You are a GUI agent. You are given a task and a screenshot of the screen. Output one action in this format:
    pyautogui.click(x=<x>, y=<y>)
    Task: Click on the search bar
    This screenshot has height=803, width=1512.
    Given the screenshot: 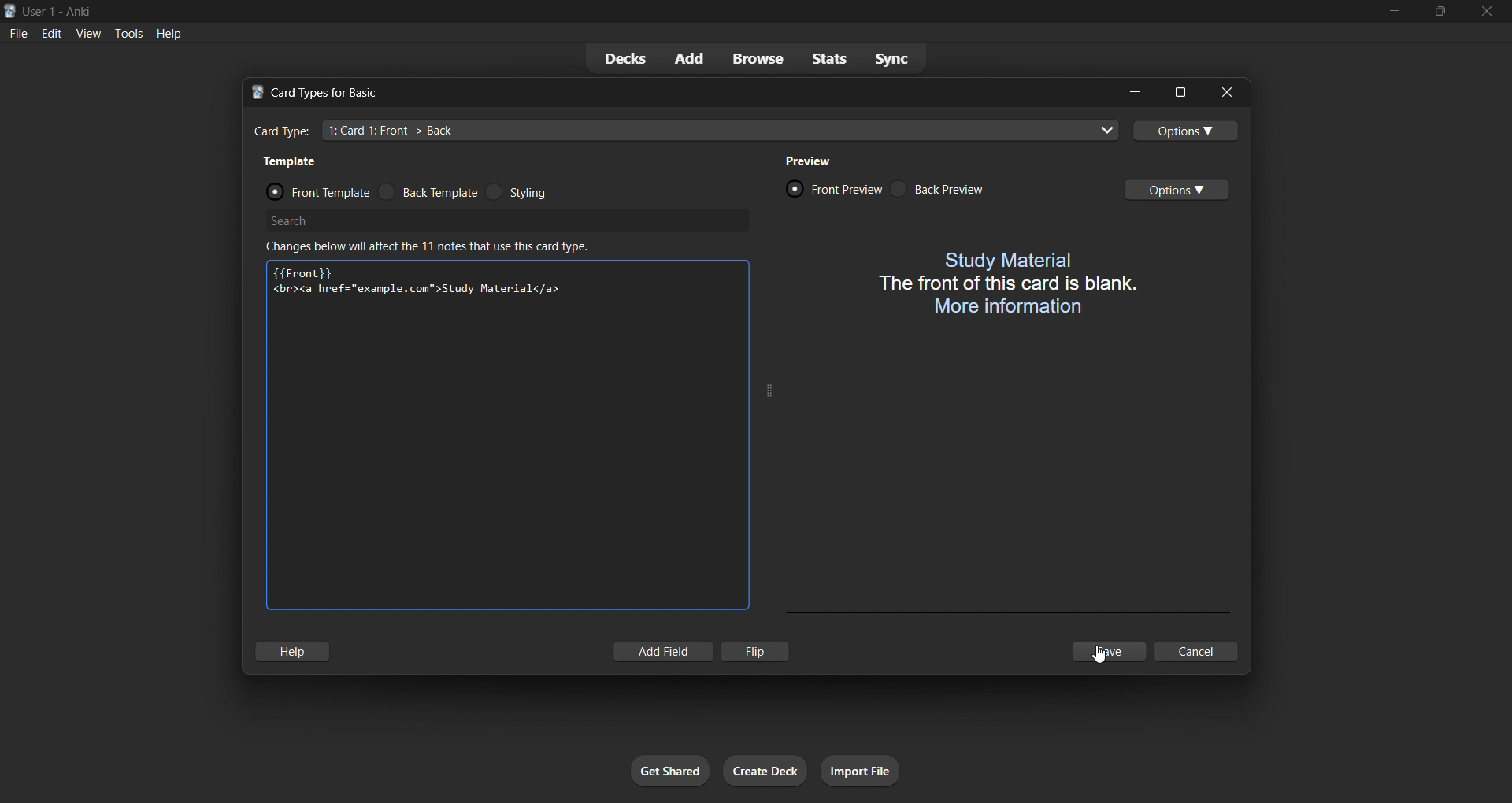 What is the action you would take?
    pyautogui.click(x=510, y=219)
    